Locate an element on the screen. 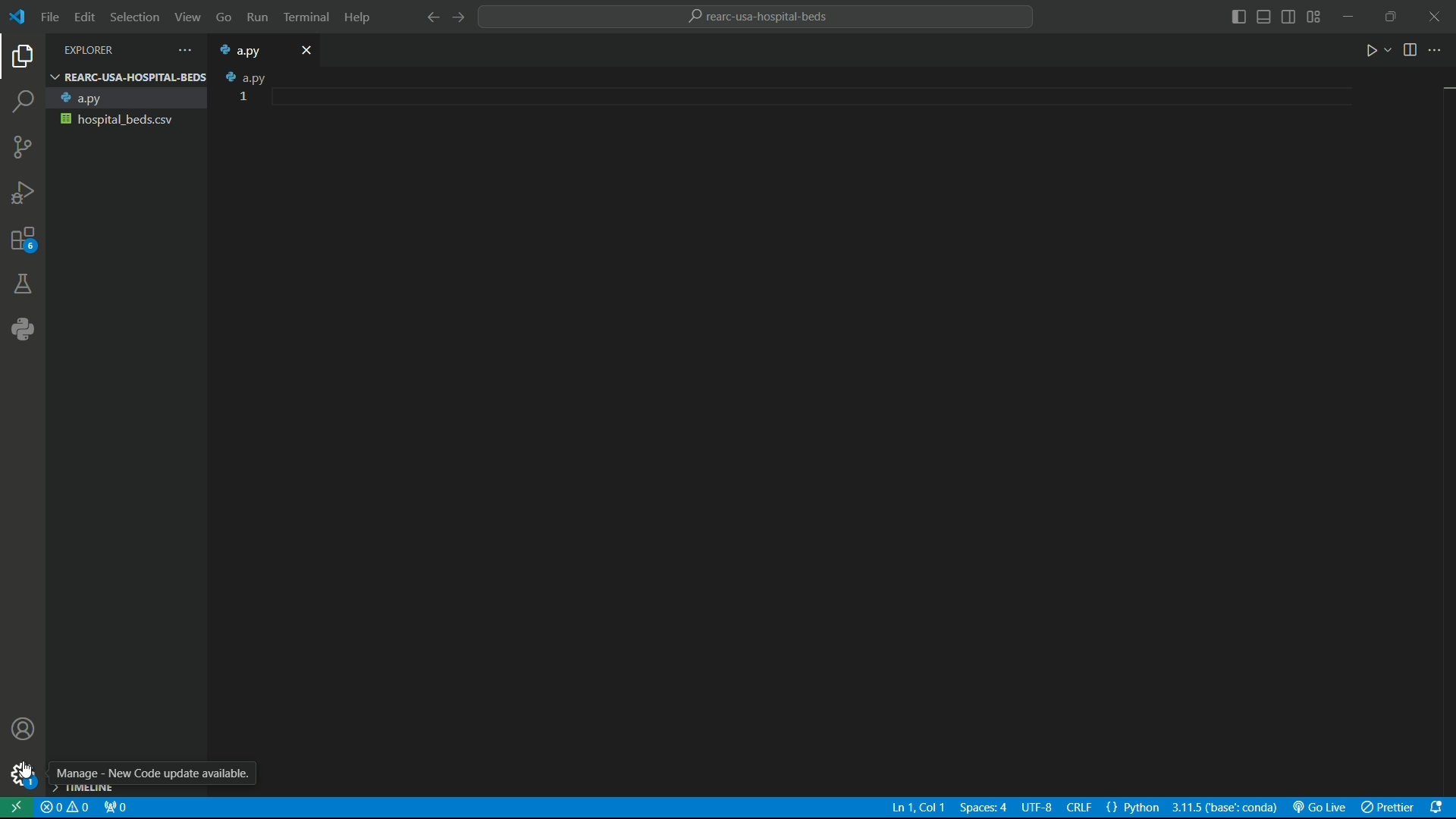 The height and width of the screenshot is (819, 1456). source code is located at coordinates (22, 150).